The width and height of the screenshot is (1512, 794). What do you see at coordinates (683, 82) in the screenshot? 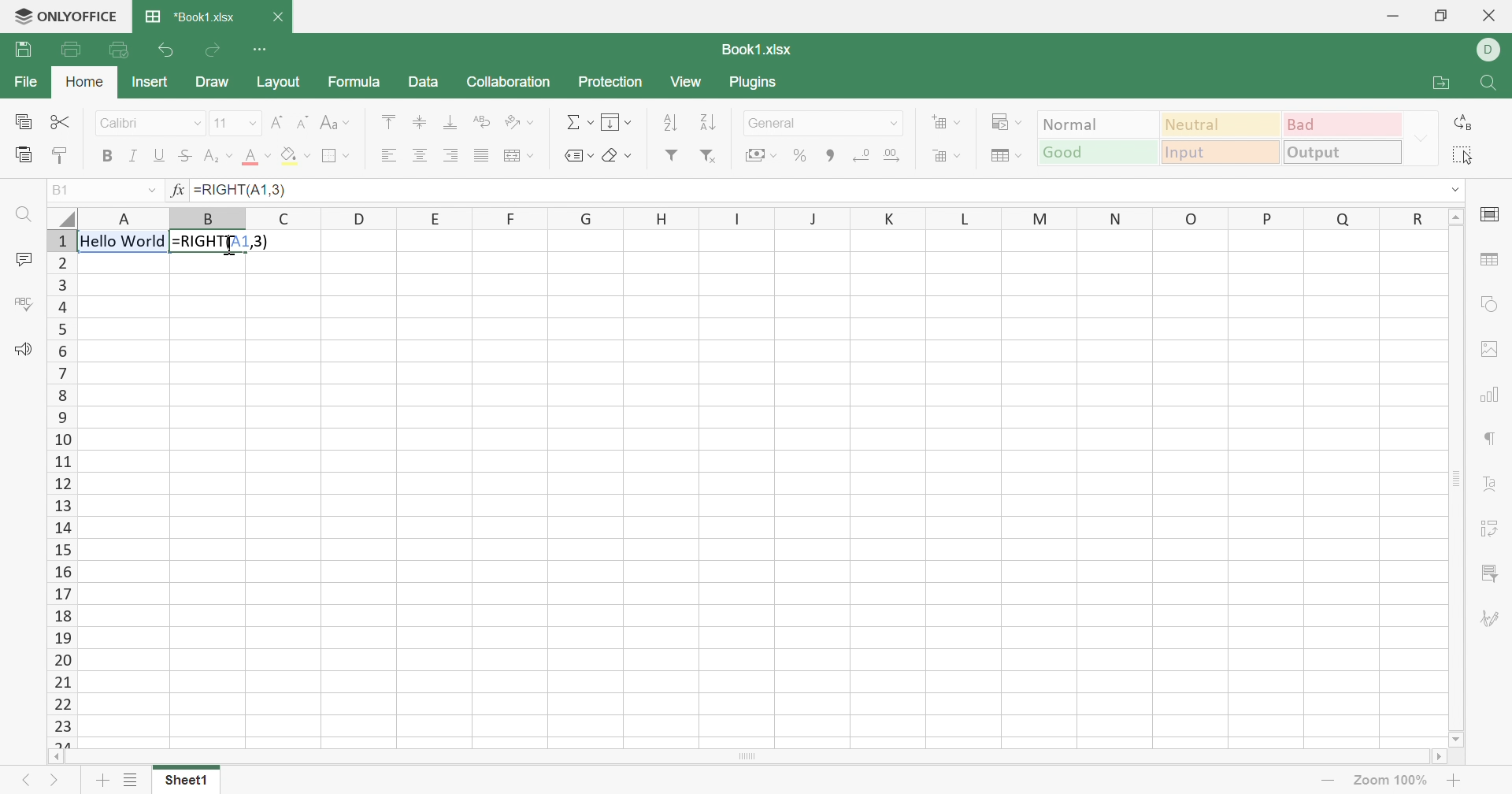
I see ` View` at bounding box center [683, 82].